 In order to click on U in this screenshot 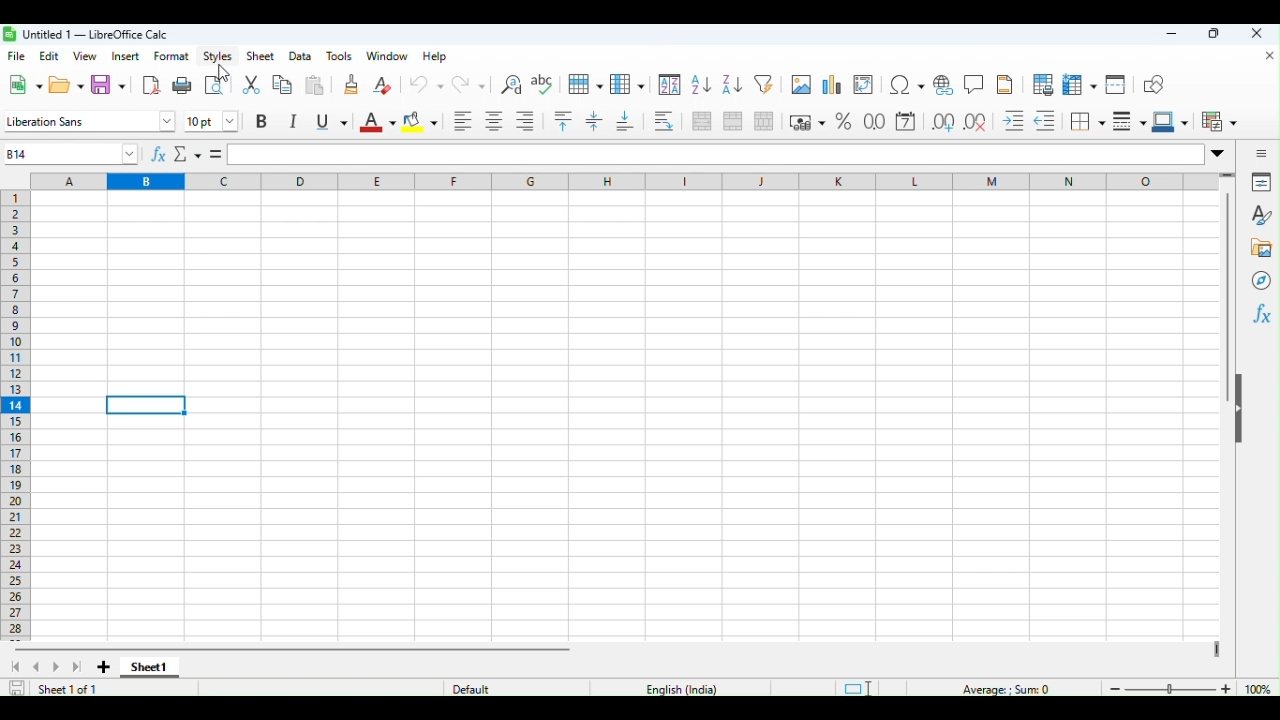, I will do `click(331, 122)`.